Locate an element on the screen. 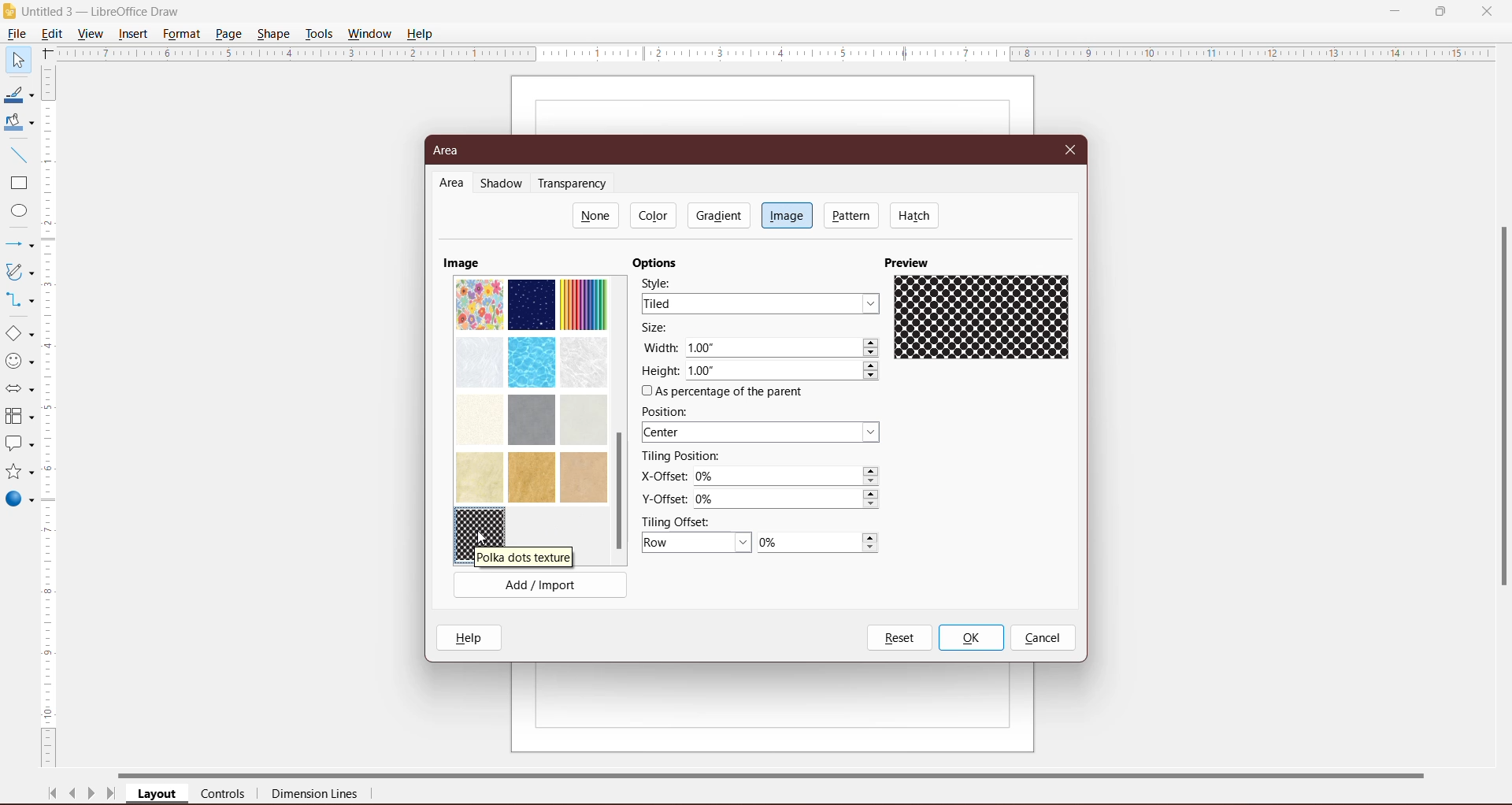 This screenshot has width=1512, height=805. Cancel is located at coordinates (1043, 639).